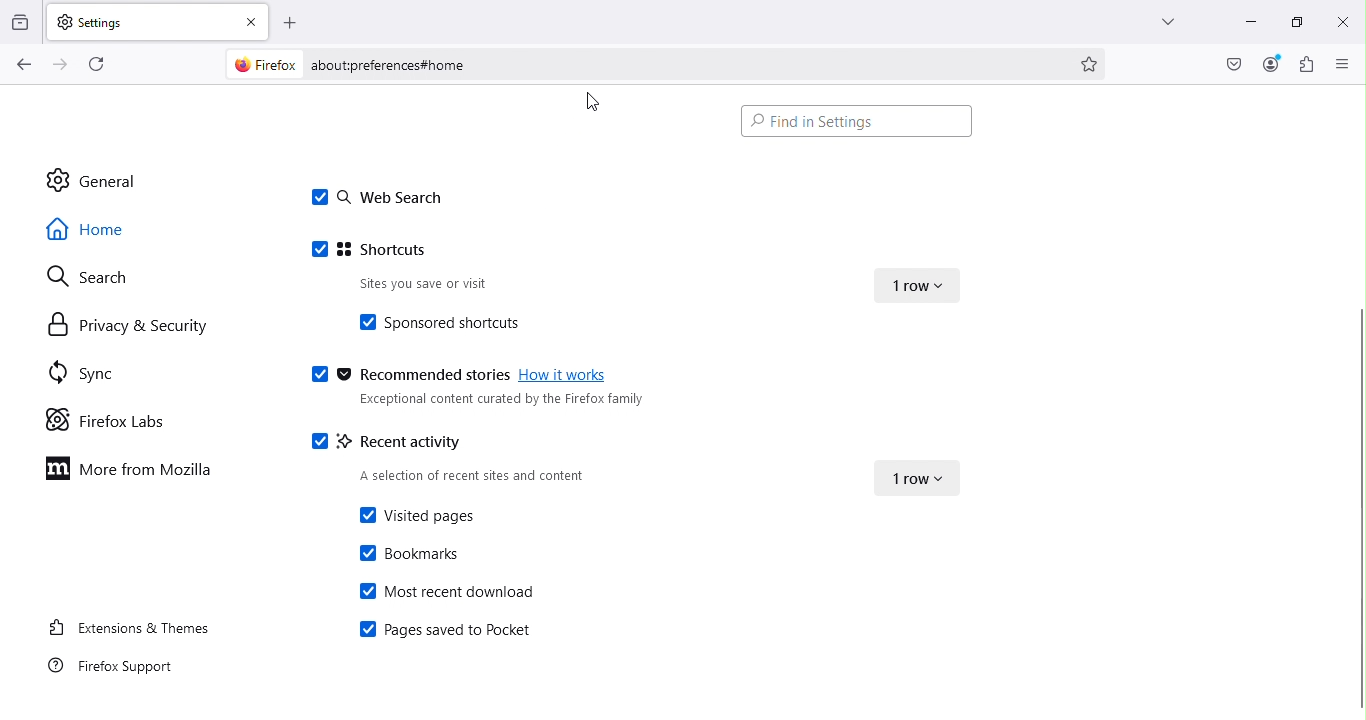 The image size is (1366, 720). I want to click on Search, so click(84, 275).